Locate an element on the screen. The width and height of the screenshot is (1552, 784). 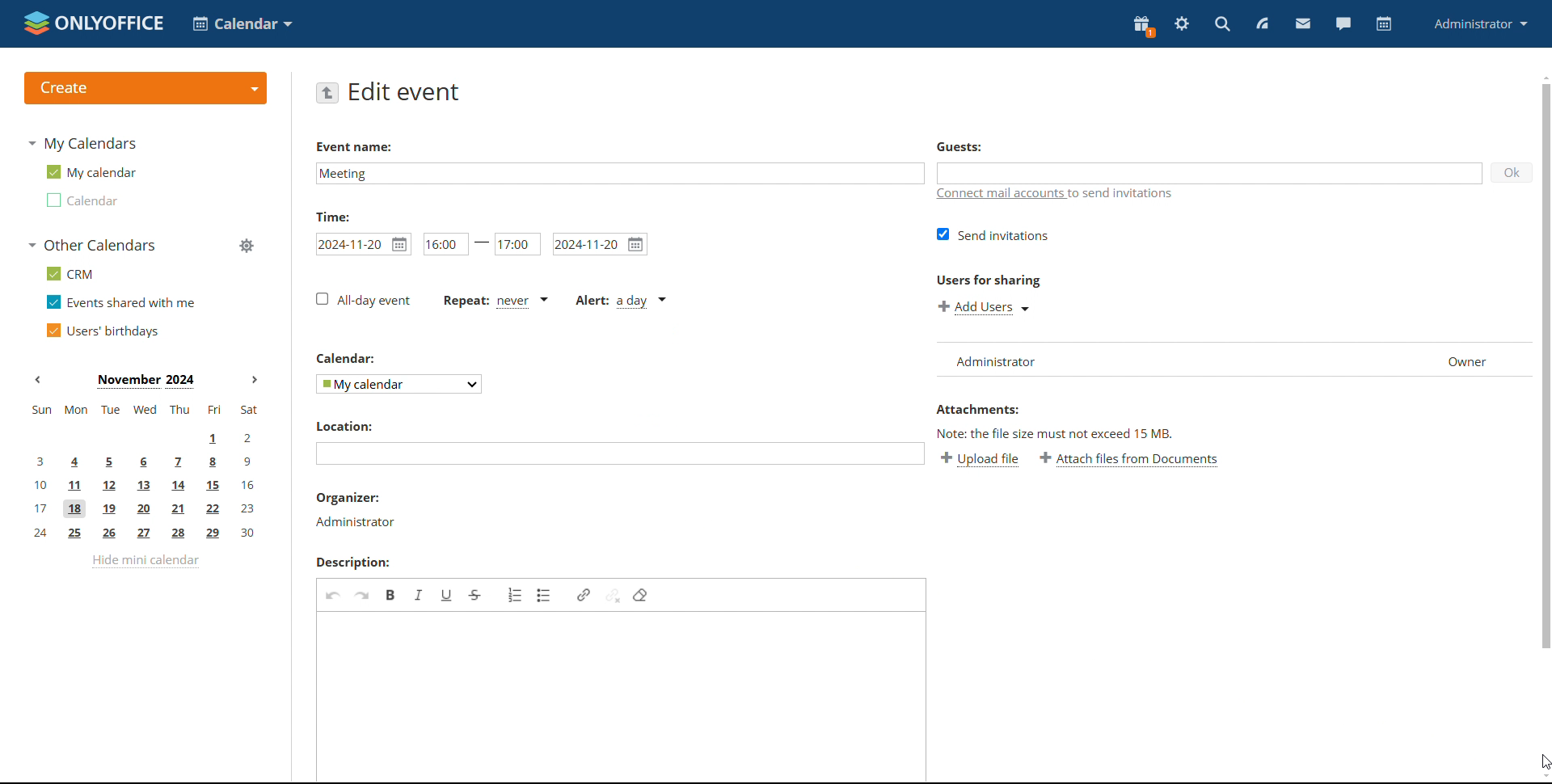
strikethrough is located at coordinates (474, 596).